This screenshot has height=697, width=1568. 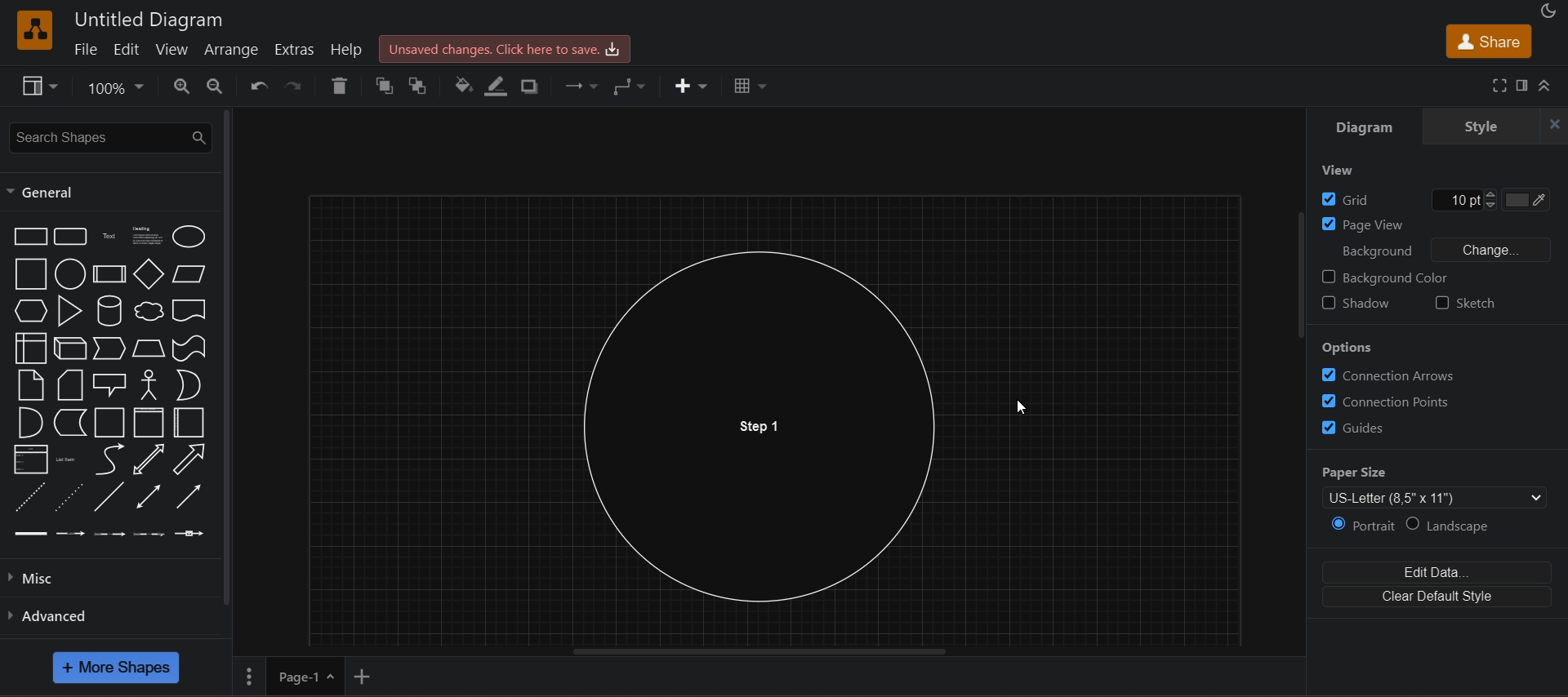 I want to click on and, so click(x=29, y=422).